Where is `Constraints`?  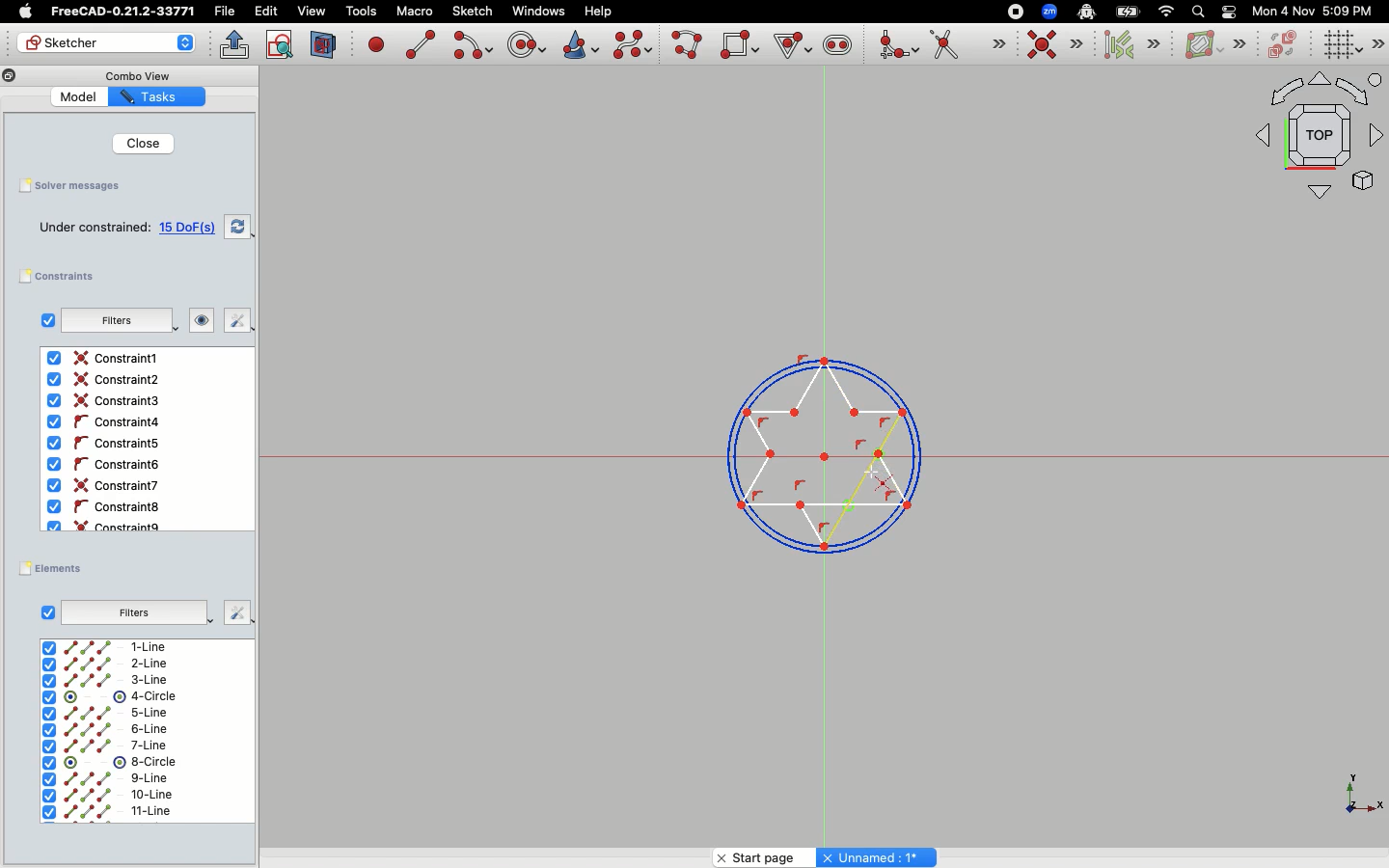
Constraints is located at coordinates (65, 277).